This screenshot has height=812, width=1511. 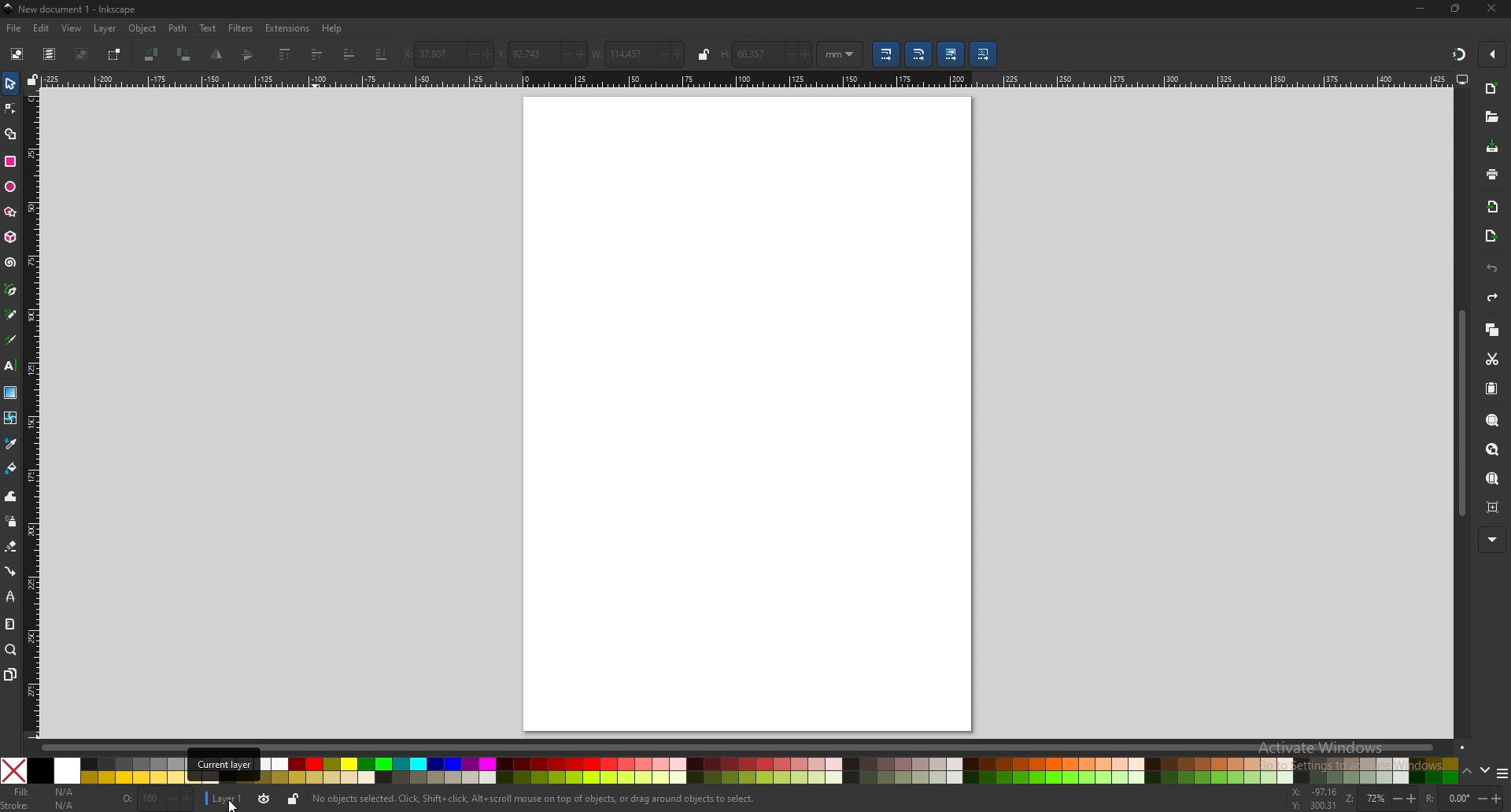 I want to click on rotate 90degree cw, so click(x=185, y=54).